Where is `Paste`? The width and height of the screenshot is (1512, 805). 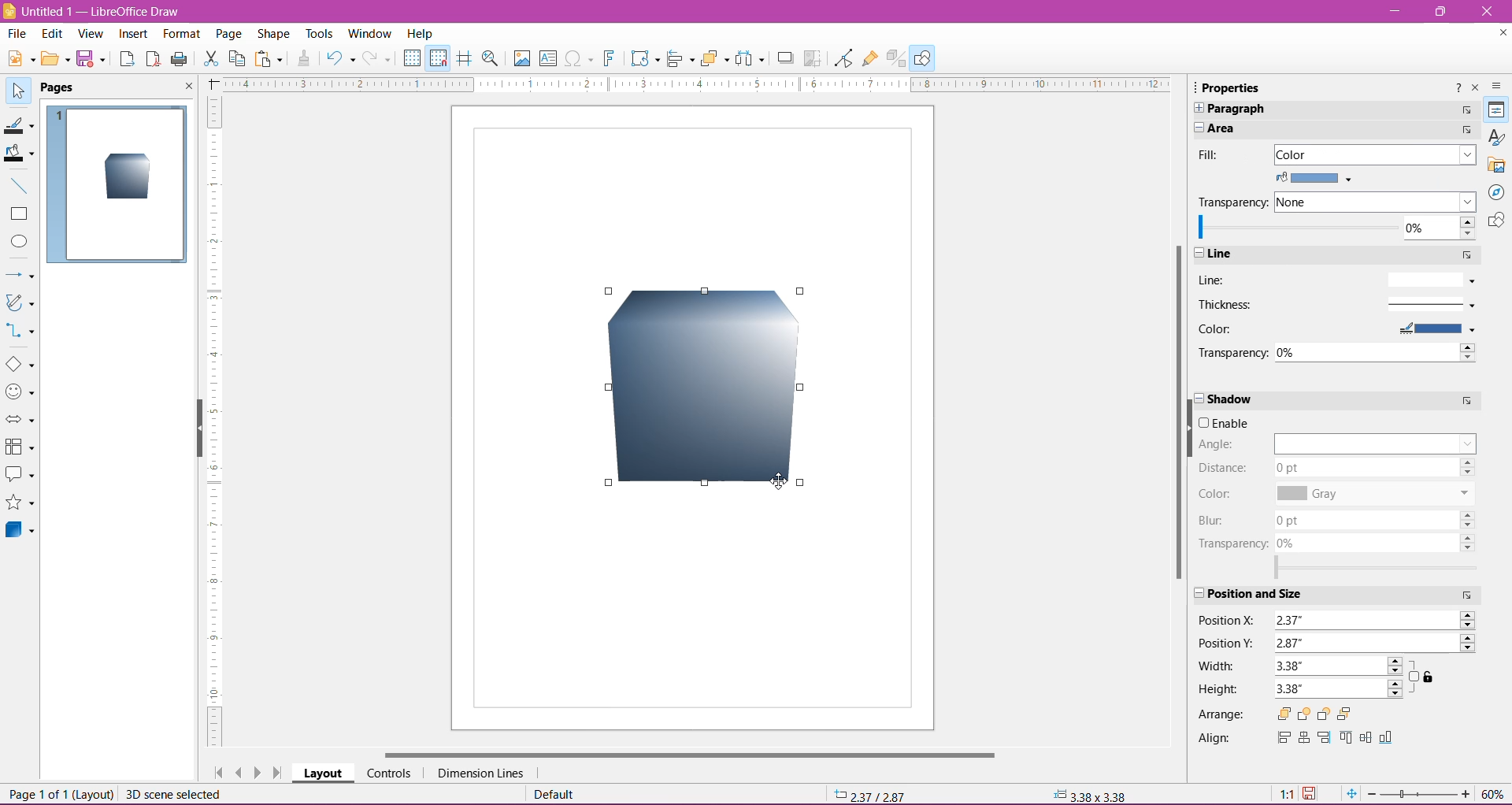 Paste is located at coordinates (270, 60).